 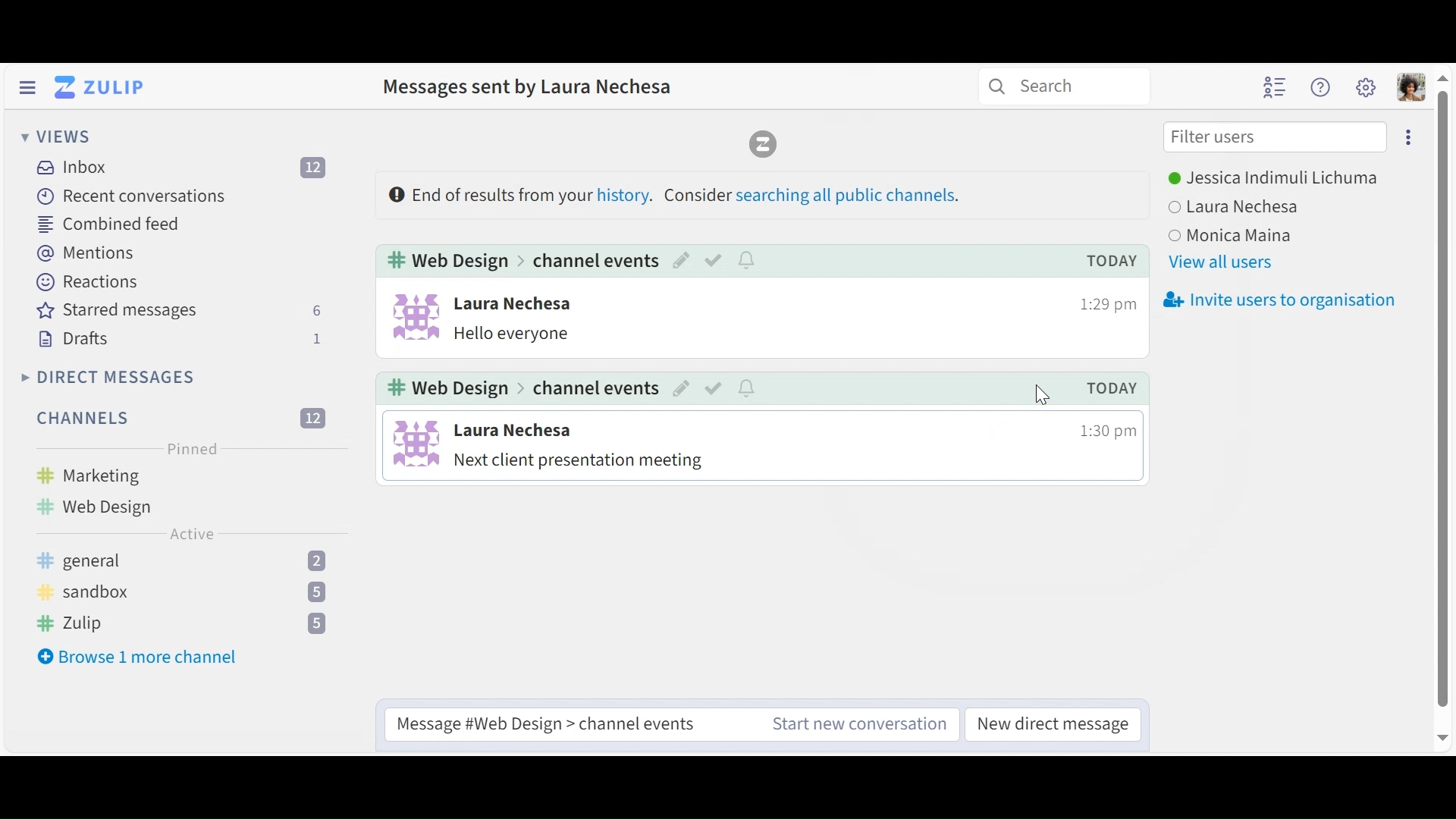 What do you see at coordinates (1367, 88) in the screenshot?
I see `Main menu` at bounding box center [1367, 88].